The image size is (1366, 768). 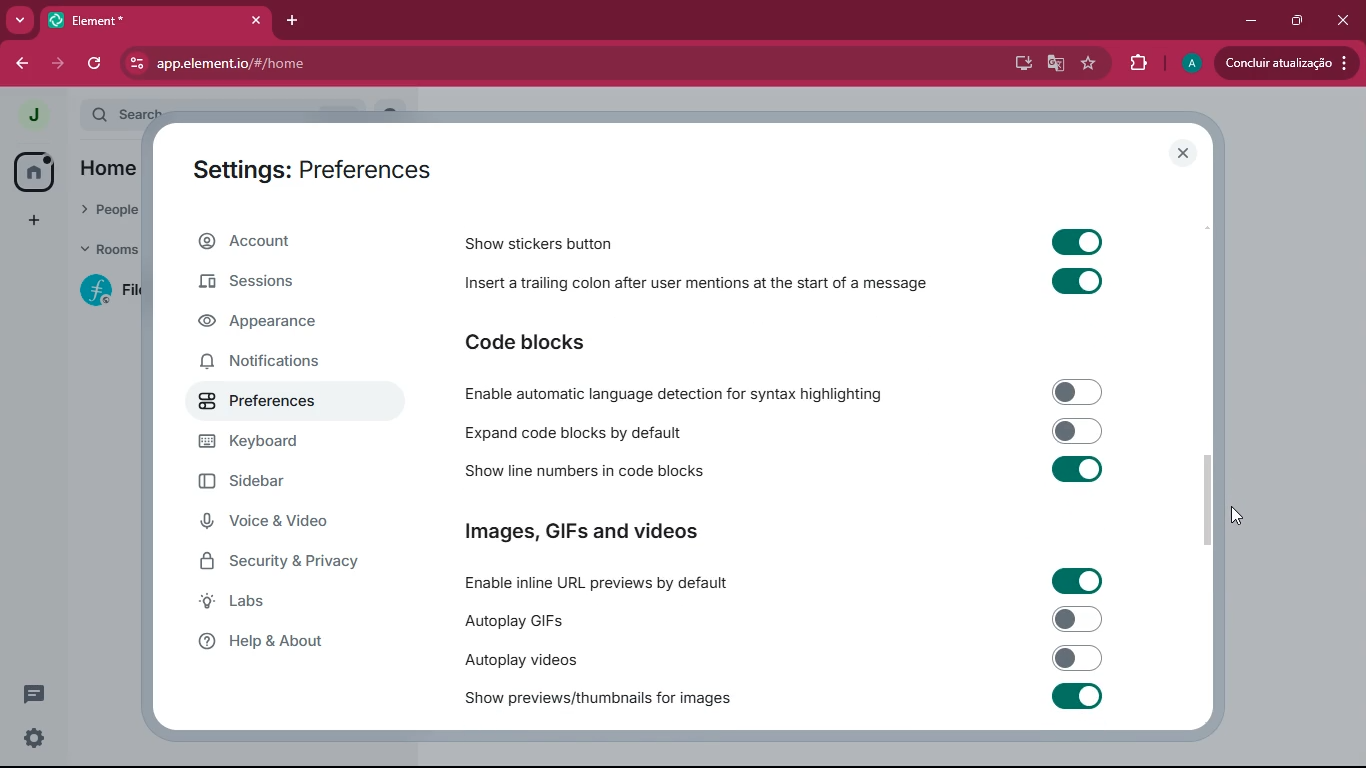 I want to click on cursor, so click(x=1237, y=517).